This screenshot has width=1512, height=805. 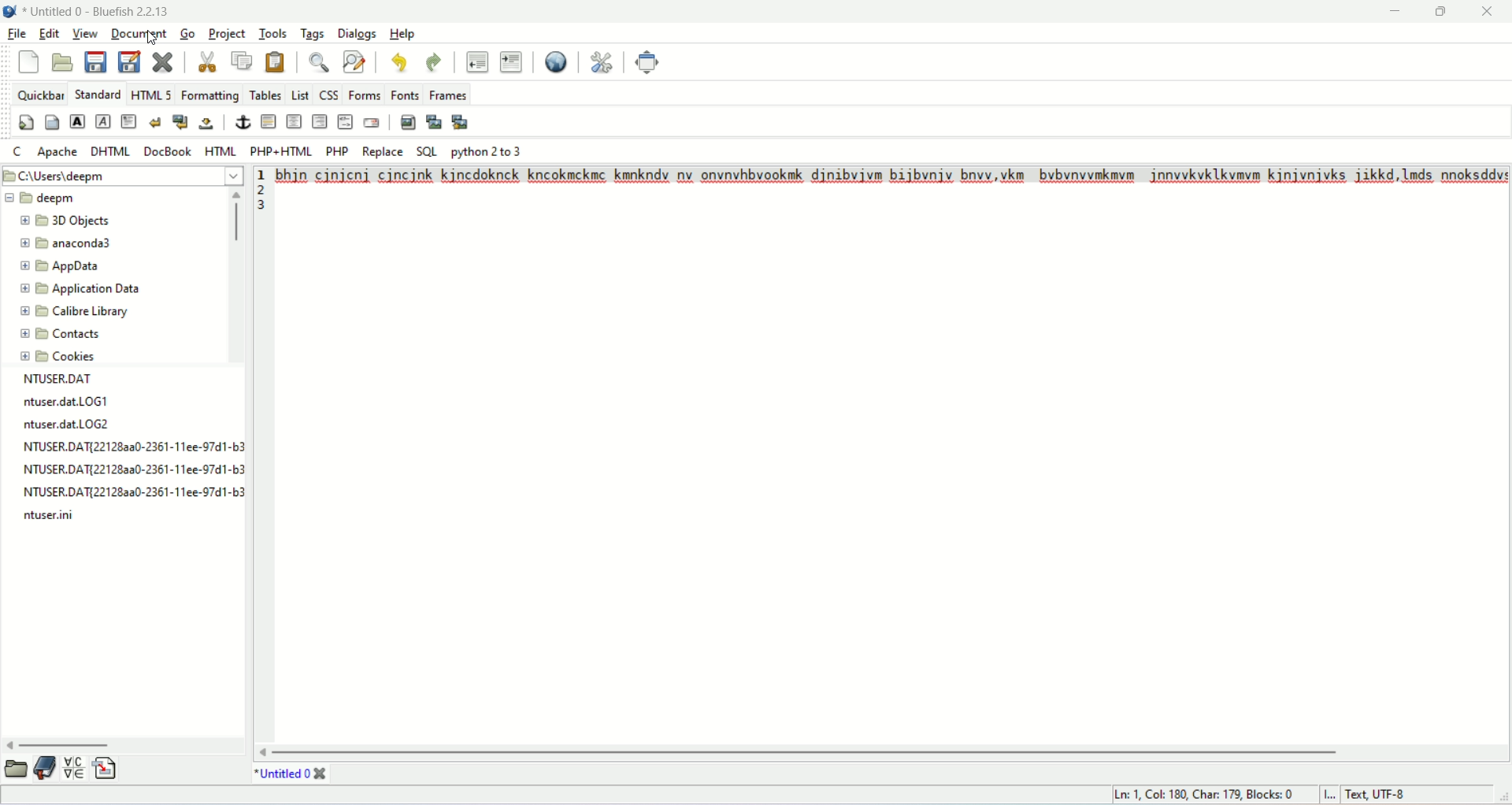 What do you see at coordinates (650, 61) in the screenshot?
I see `fullscreen` at bounding box center [650, 61].